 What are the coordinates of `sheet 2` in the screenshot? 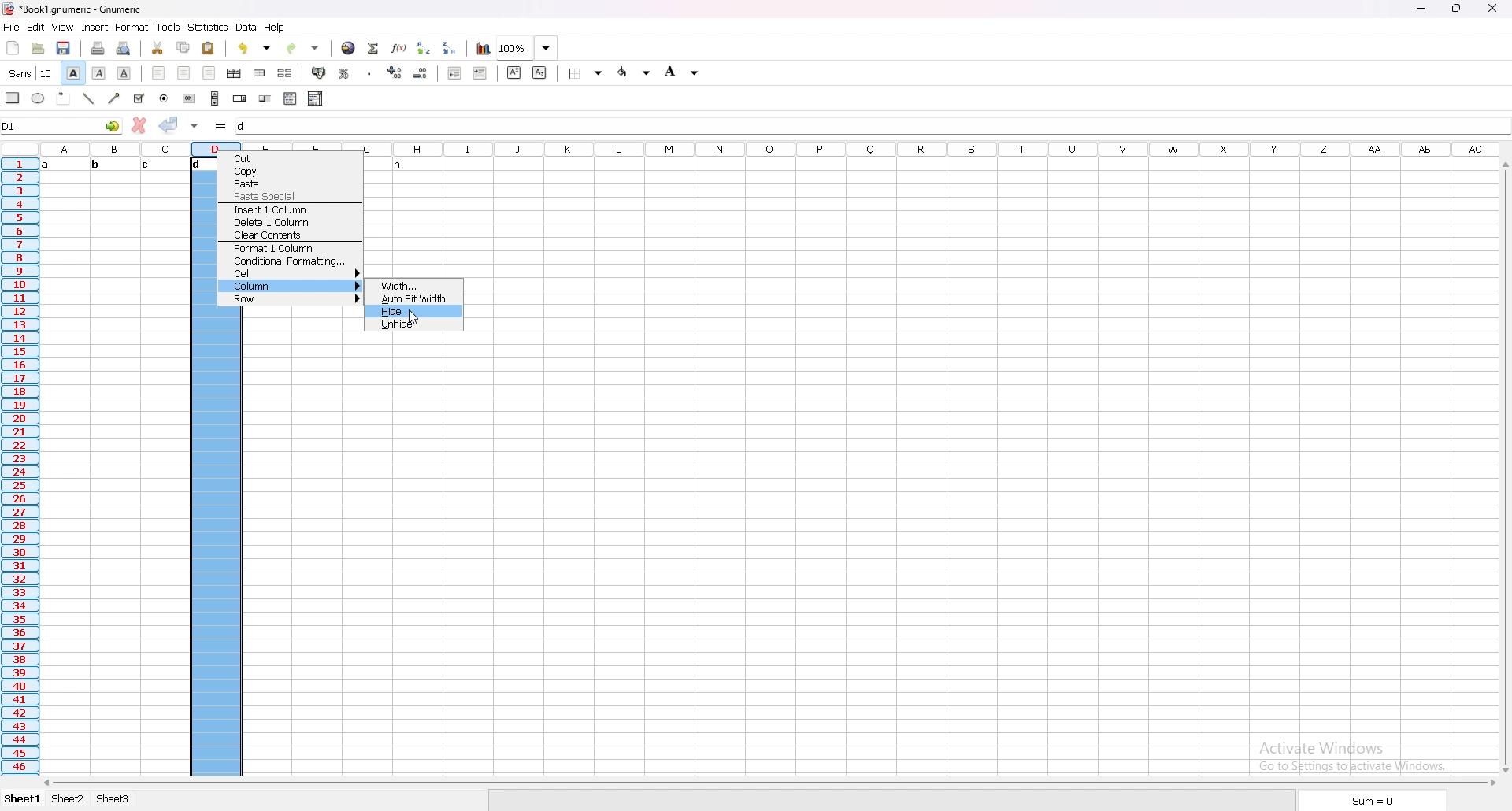 It's located at (67, 798).